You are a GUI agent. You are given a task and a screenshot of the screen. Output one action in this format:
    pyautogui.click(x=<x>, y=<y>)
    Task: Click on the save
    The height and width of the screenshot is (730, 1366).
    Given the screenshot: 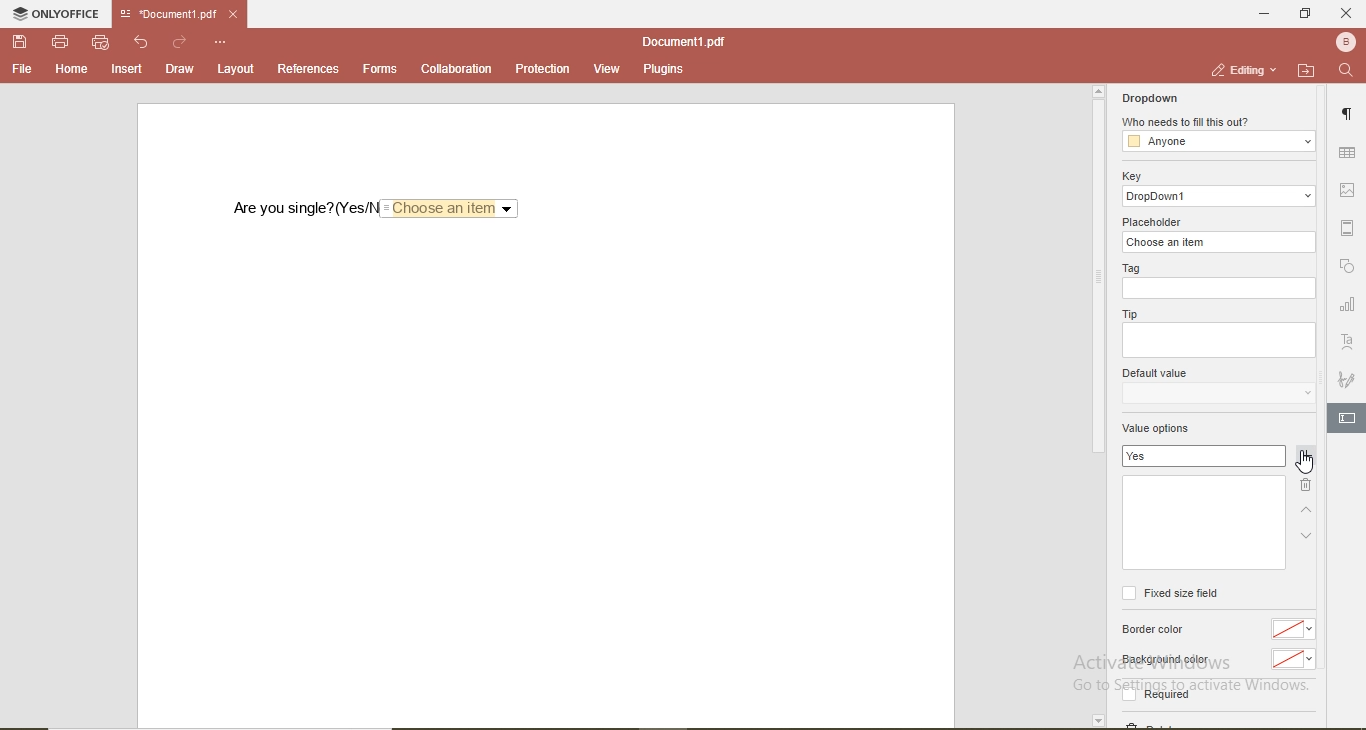 What is the action you would take?
    pyautogui.click(x=20, y=42)
    